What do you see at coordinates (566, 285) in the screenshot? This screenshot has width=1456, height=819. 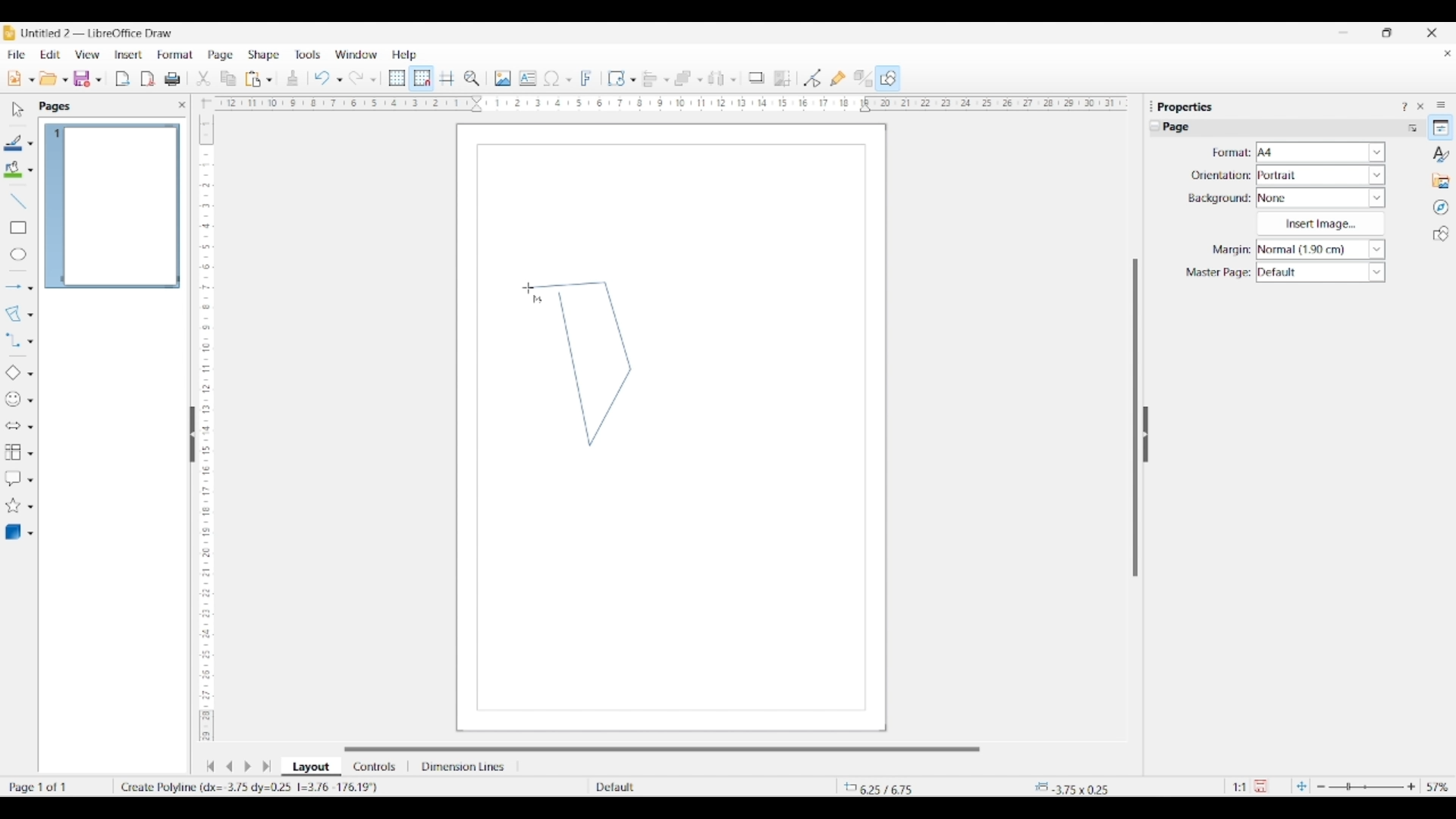 I see `Line 4` at bounding box center [566, 285].